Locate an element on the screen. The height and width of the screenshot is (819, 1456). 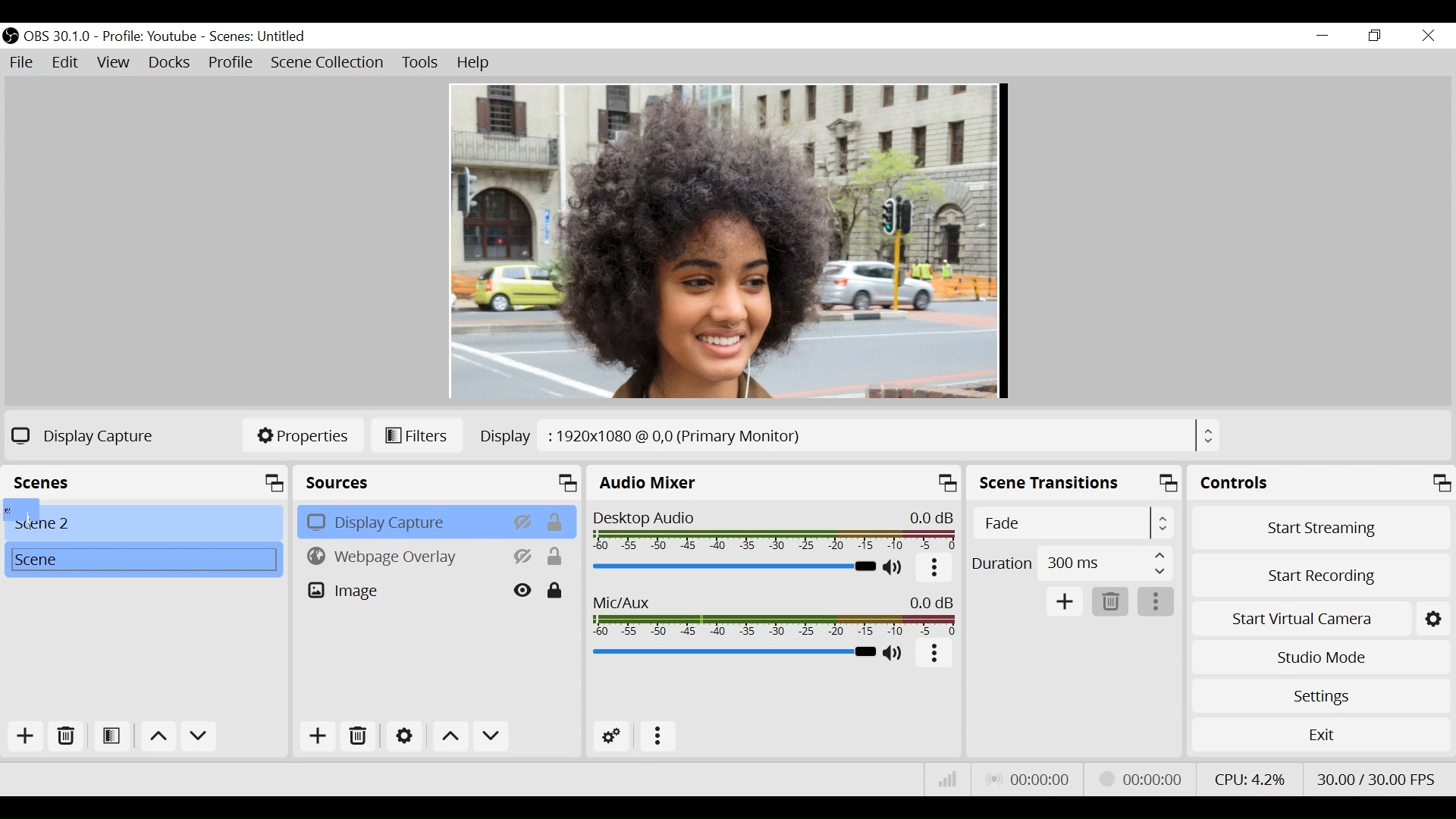
Filters is located at coordinates (419, 436).